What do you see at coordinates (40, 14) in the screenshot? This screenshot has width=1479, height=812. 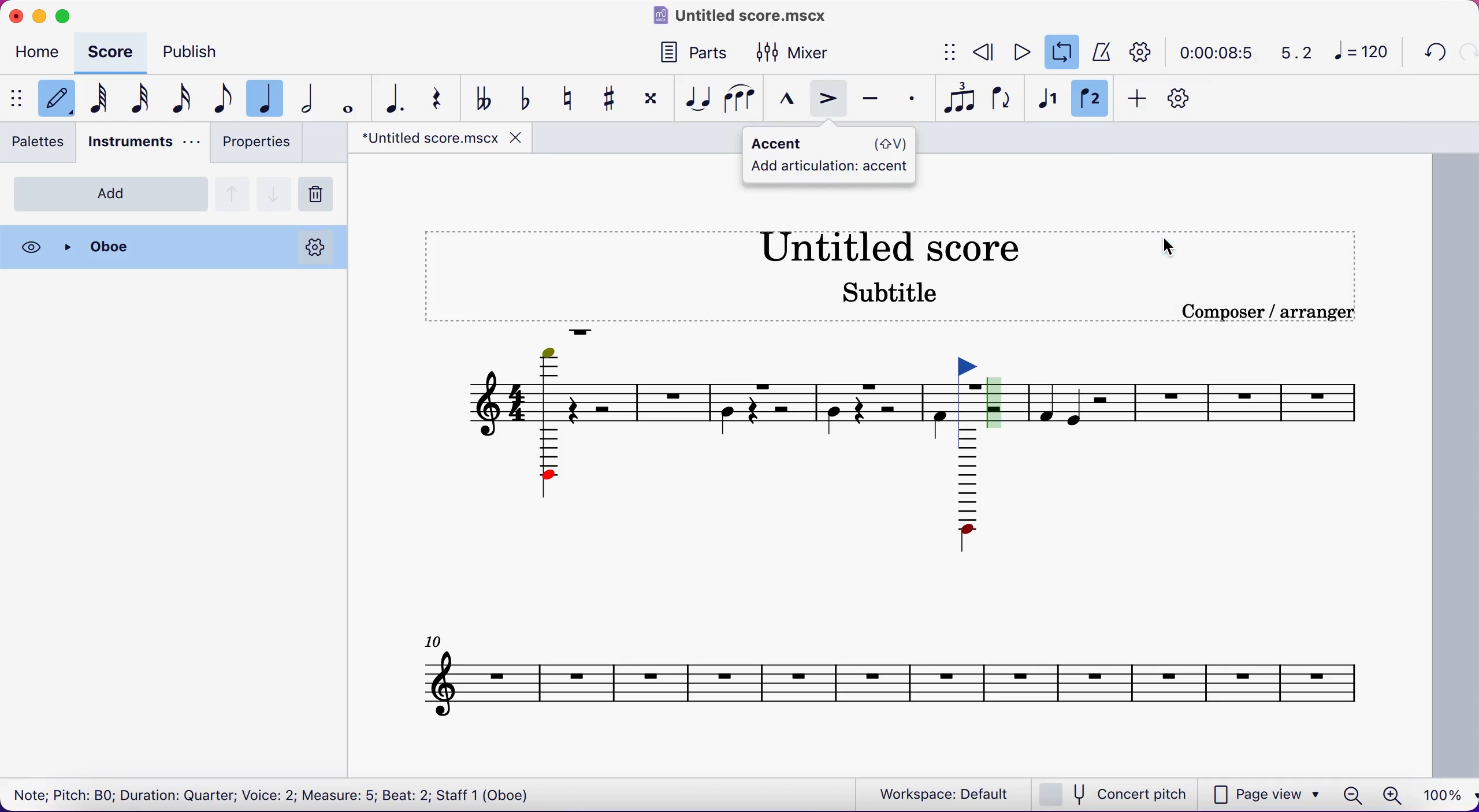 I see `minimize` at bounding box center [40, 14].